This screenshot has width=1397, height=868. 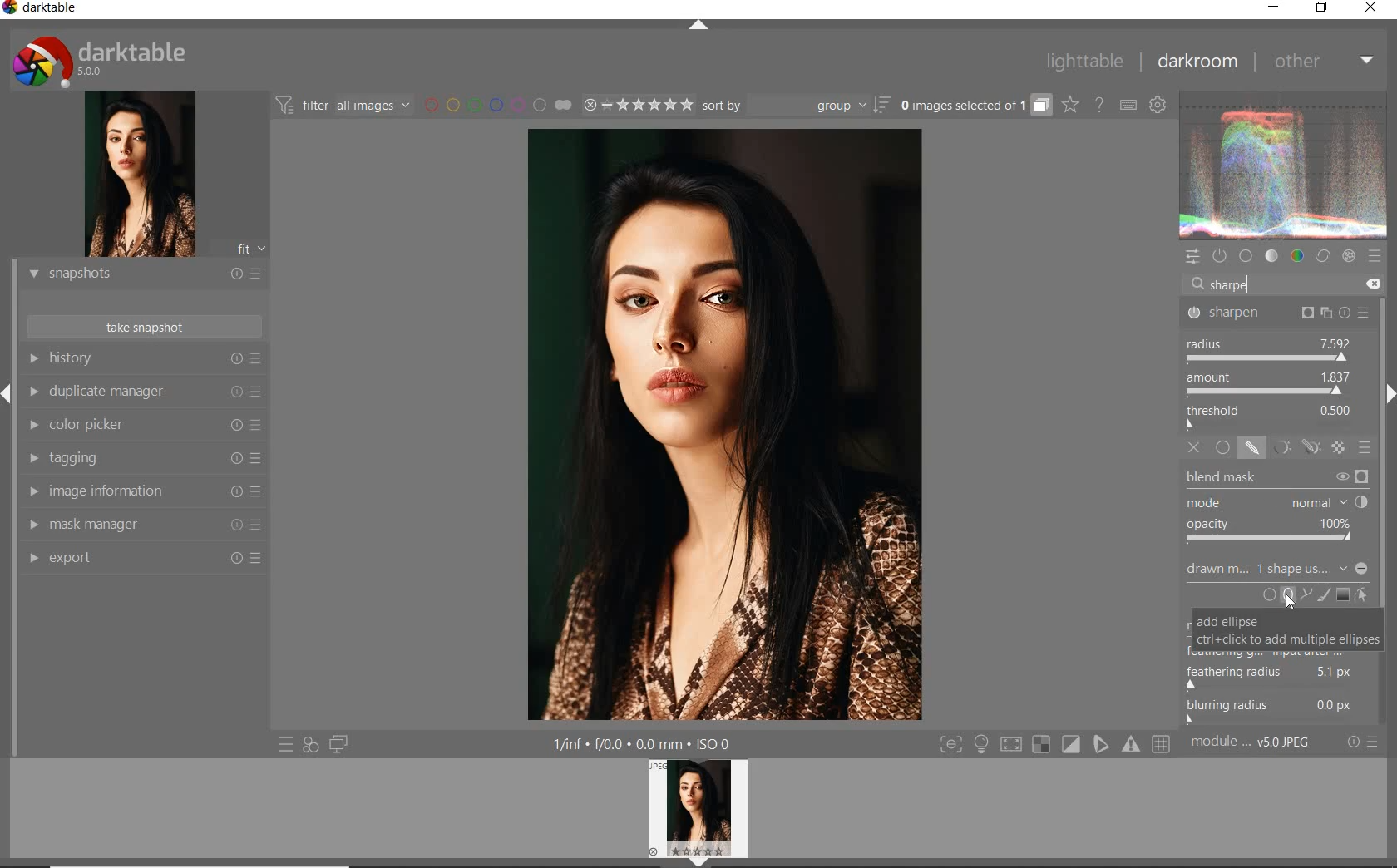 I want to click on display a second darkroom image below, so click(x=340, y=743).